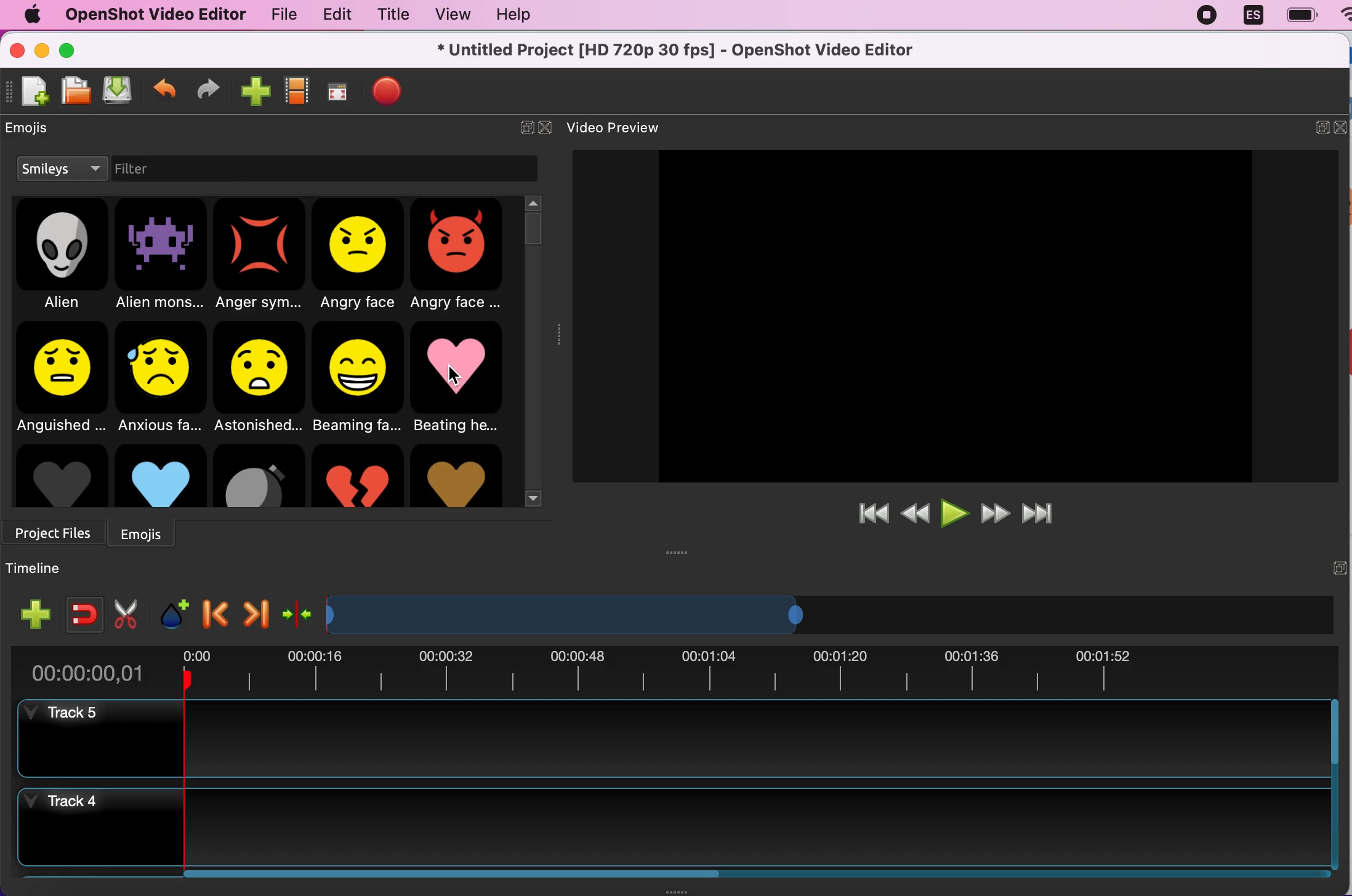 The image size is (1352, 896). Describe the element at coordinates (61, 170) in the screenshot. I see `smileys` at that location.